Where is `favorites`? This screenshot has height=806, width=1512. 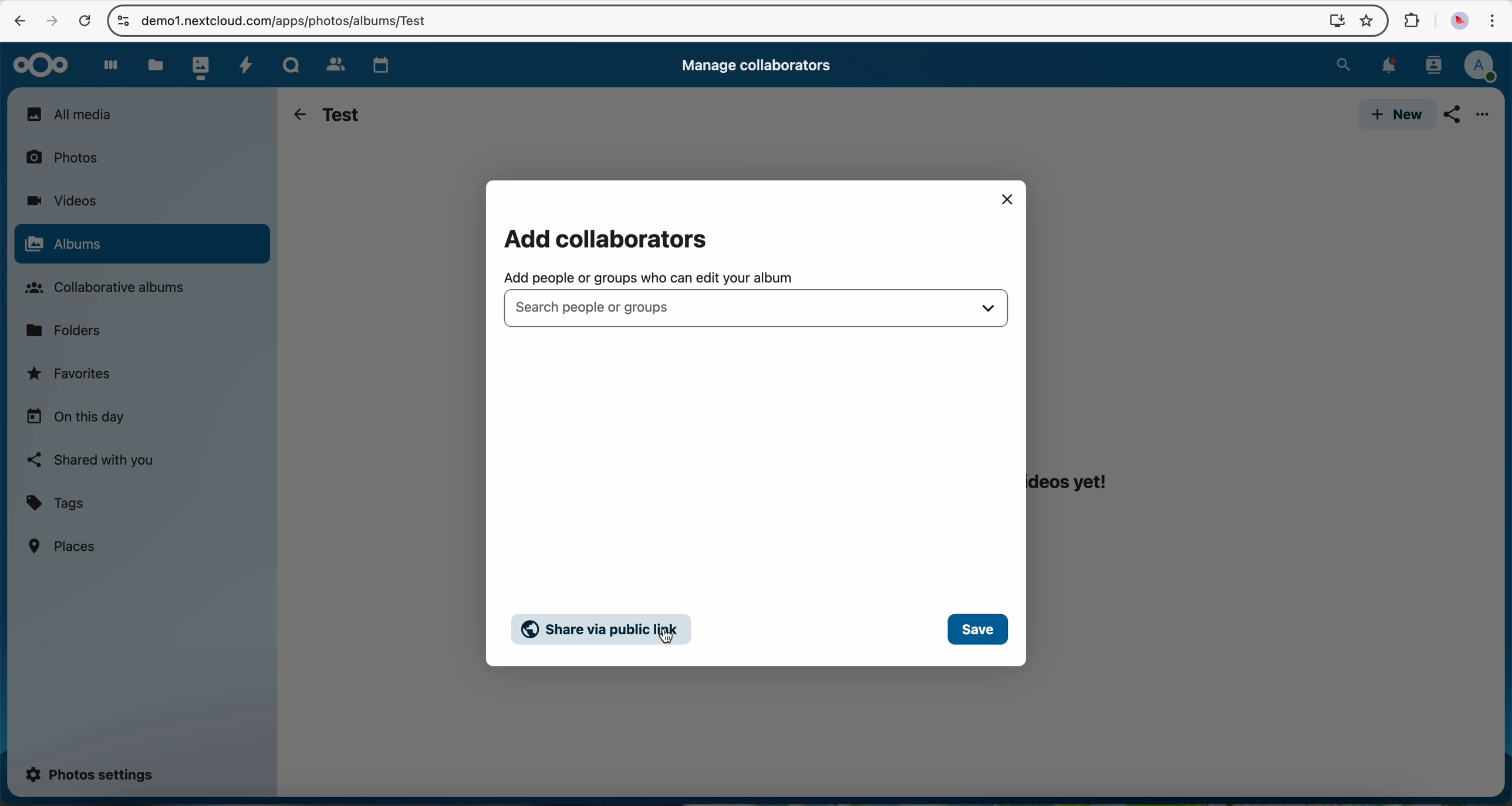
favorites is located at coordinates (1365, 22).